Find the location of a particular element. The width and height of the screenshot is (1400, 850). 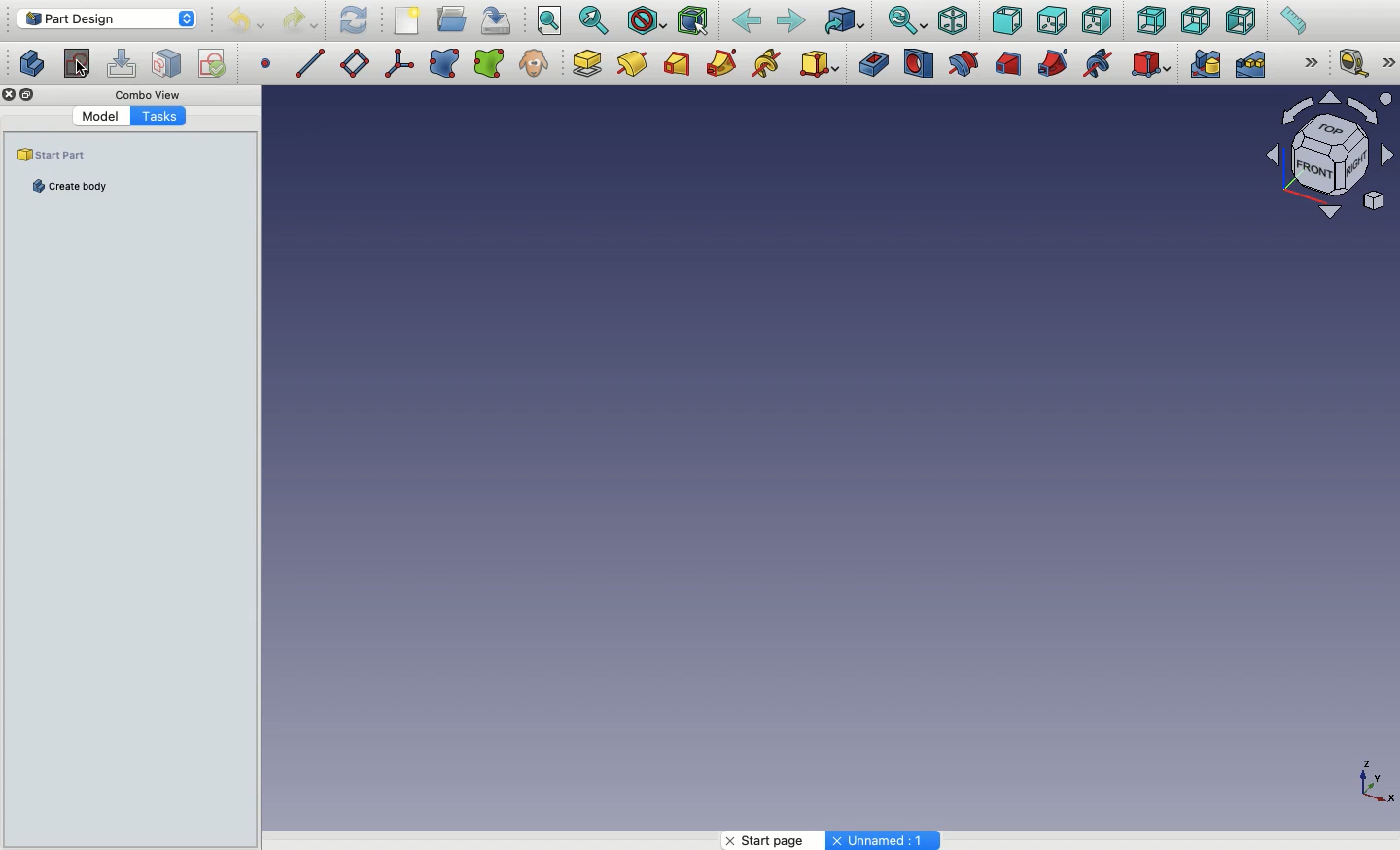

Go to linked object is located at coordinates (845, 22).